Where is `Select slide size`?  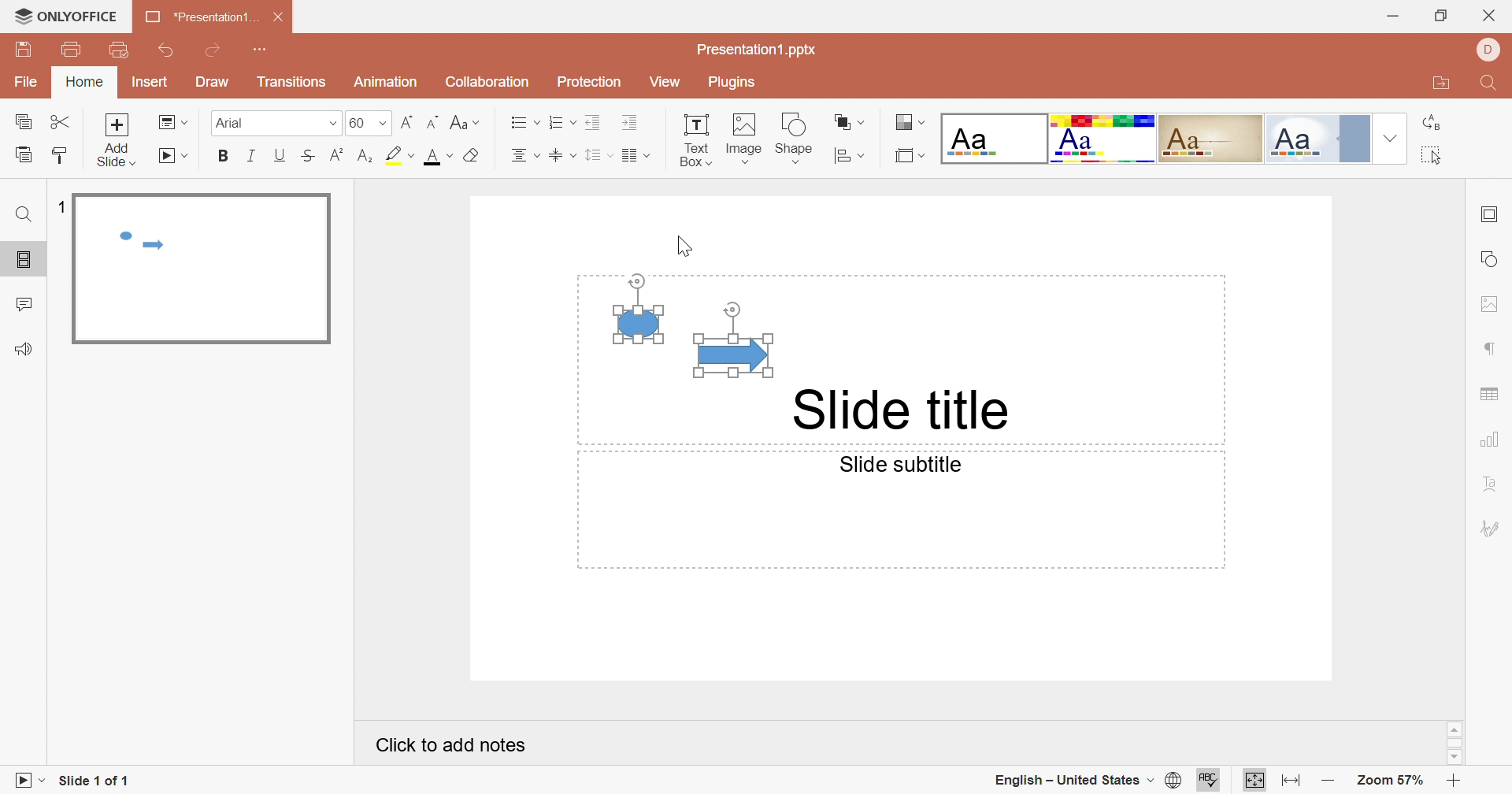
Select slide size is located at coordinates (911, 157).